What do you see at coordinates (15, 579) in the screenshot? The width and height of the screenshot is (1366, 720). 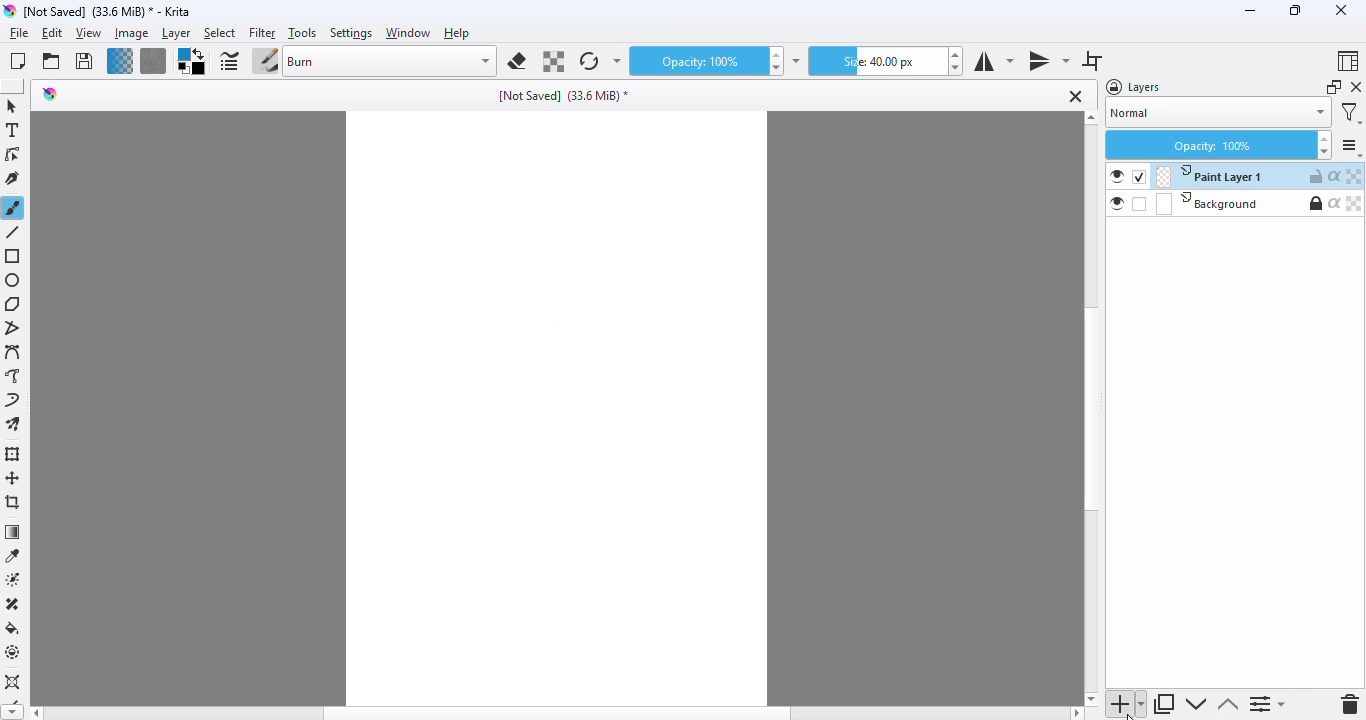 I see `colorize mask tool` at bounding box center [15, 579].